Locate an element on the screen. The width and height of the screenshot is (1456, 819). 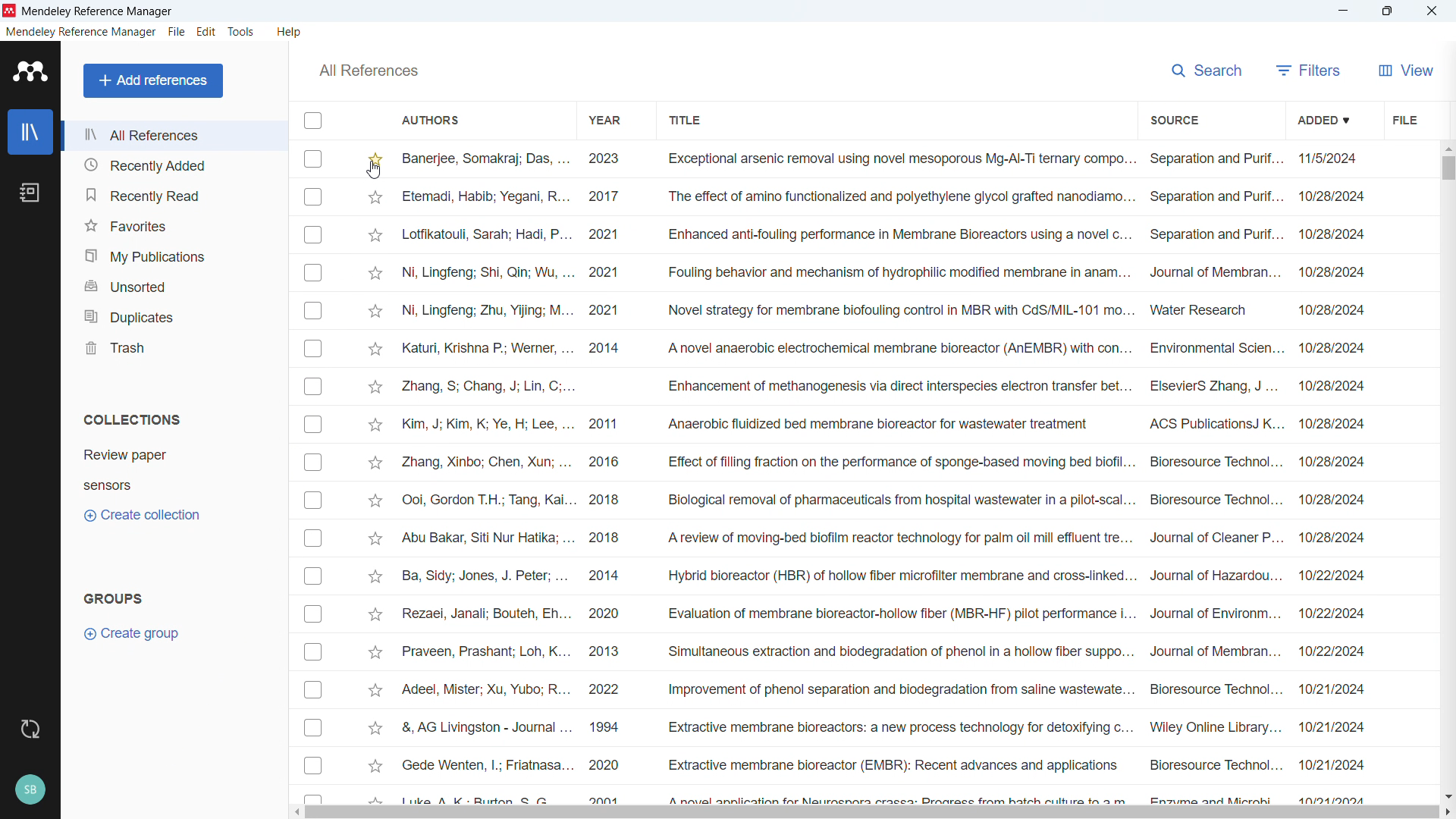
Recently added  is located at coordinates (174, 165).